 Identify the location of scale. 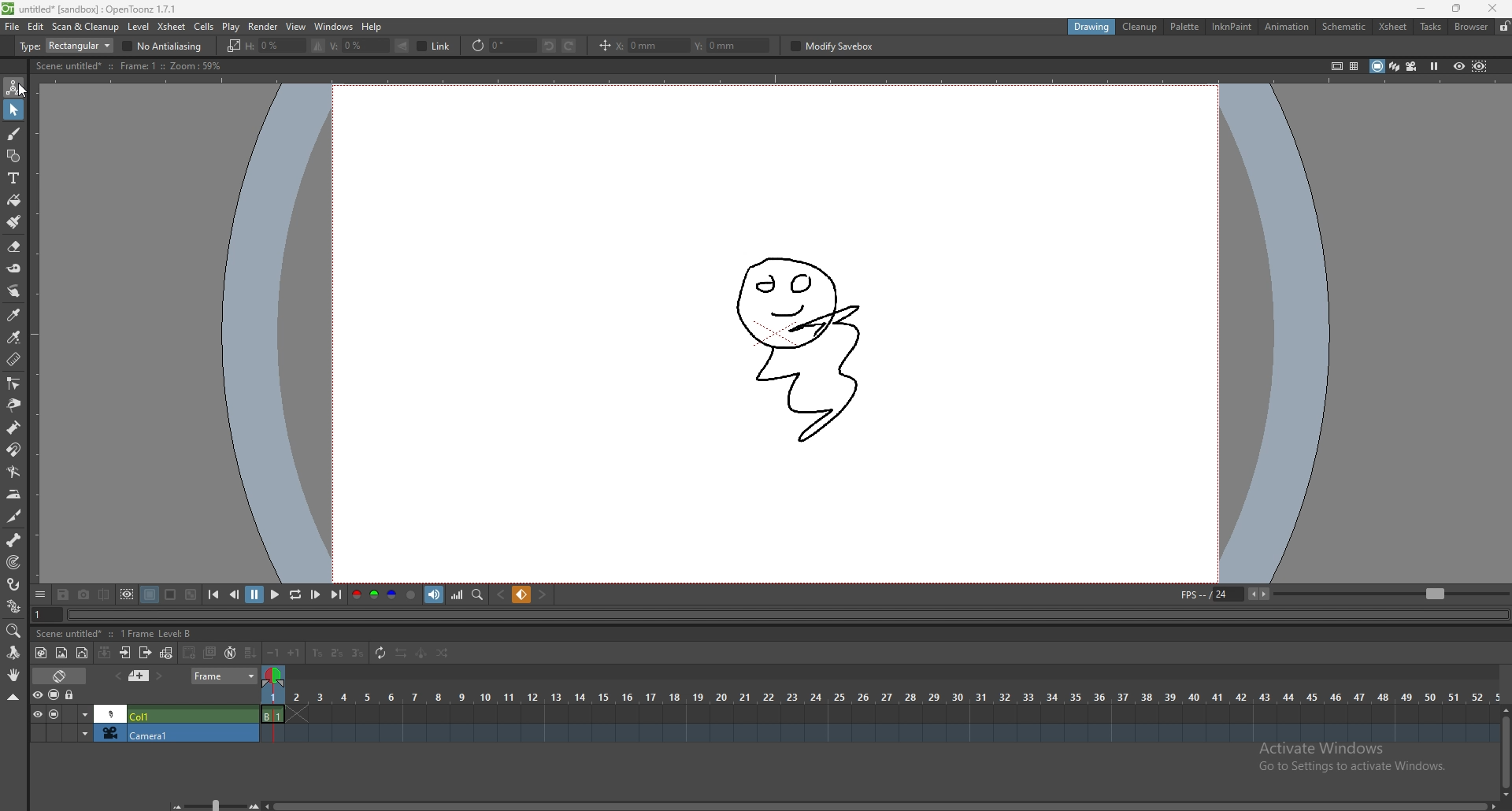
(232, 46).